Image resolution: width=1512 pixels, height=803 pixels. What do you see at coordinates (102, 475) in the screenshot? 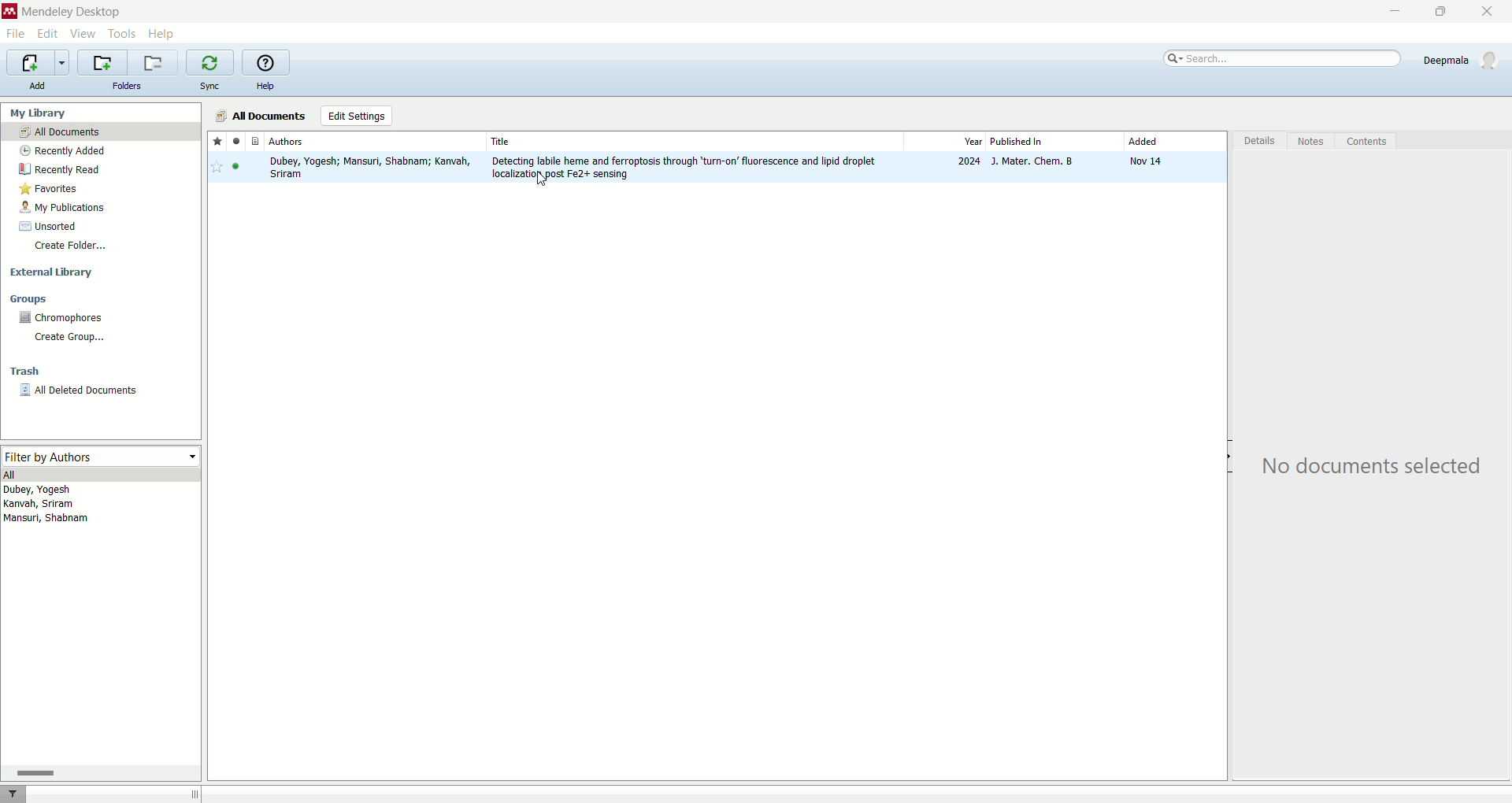
I see `all` at bounding box center [102, 475].